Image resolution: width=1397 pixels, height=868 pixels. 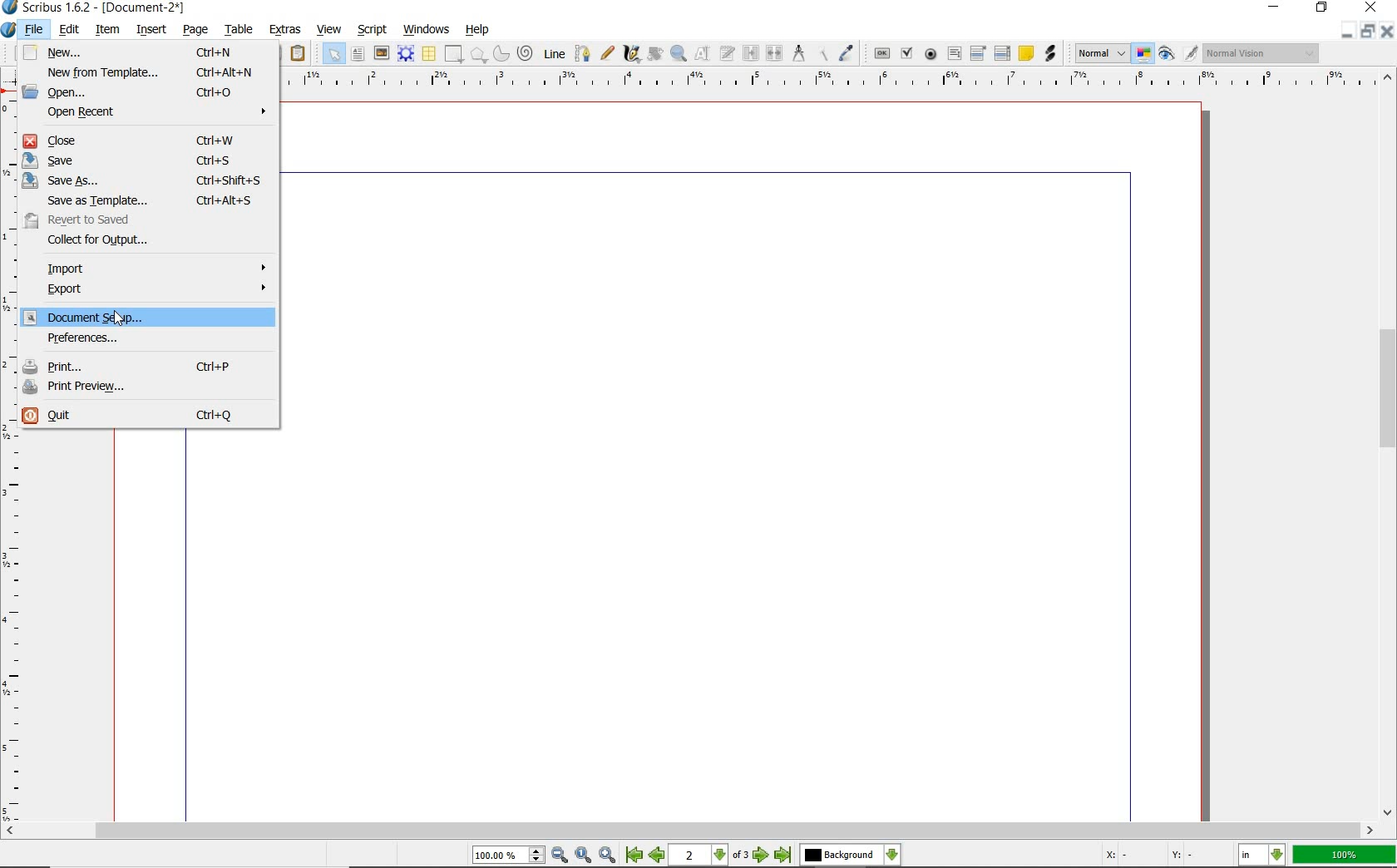 I want to click on scroll bar, so click(x=689, y=832).